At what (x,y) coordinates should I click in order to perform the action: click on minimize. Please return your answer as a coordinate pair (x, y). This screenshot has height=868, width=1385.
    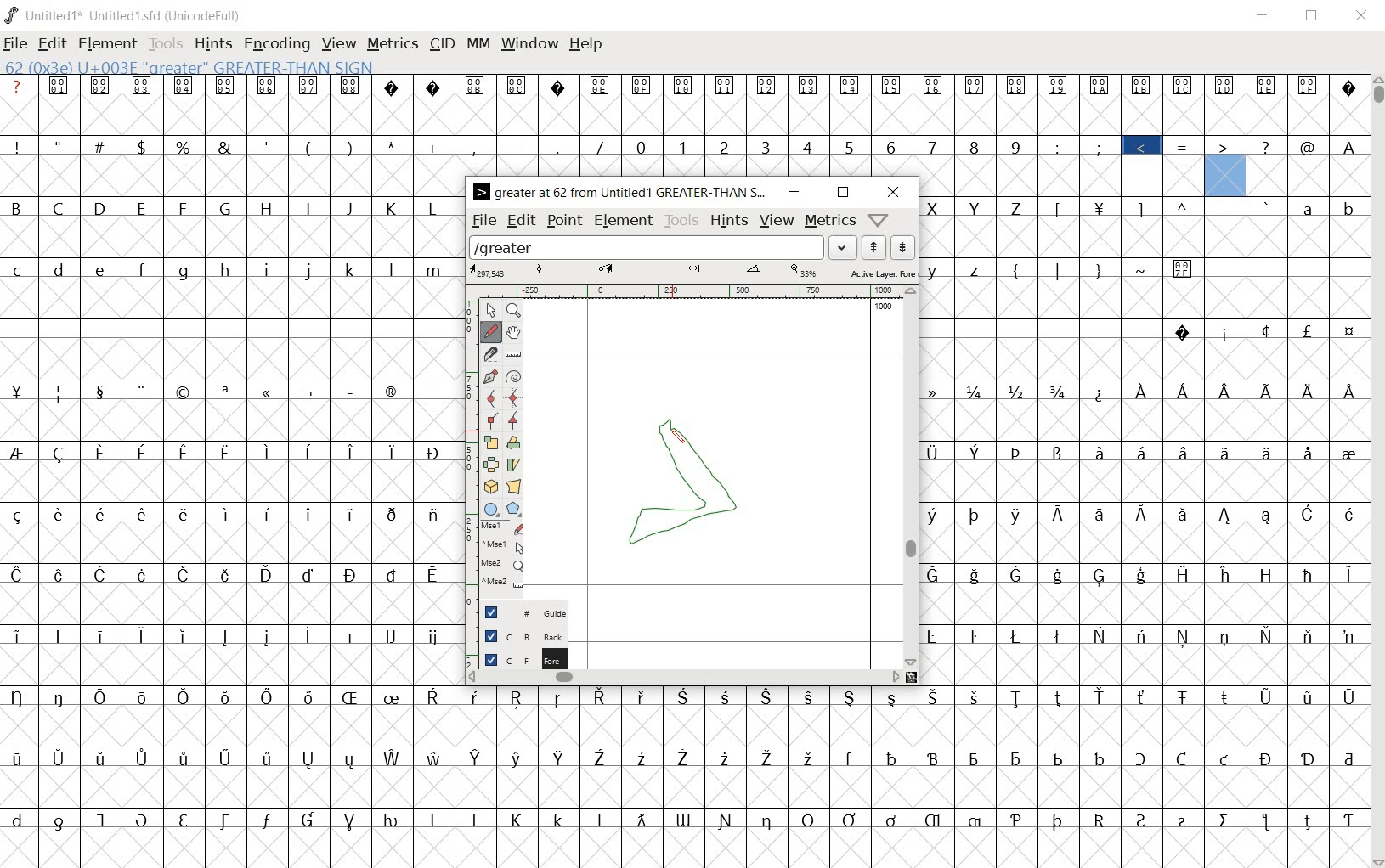
    Looking at the image, I should click on (1263, 16).